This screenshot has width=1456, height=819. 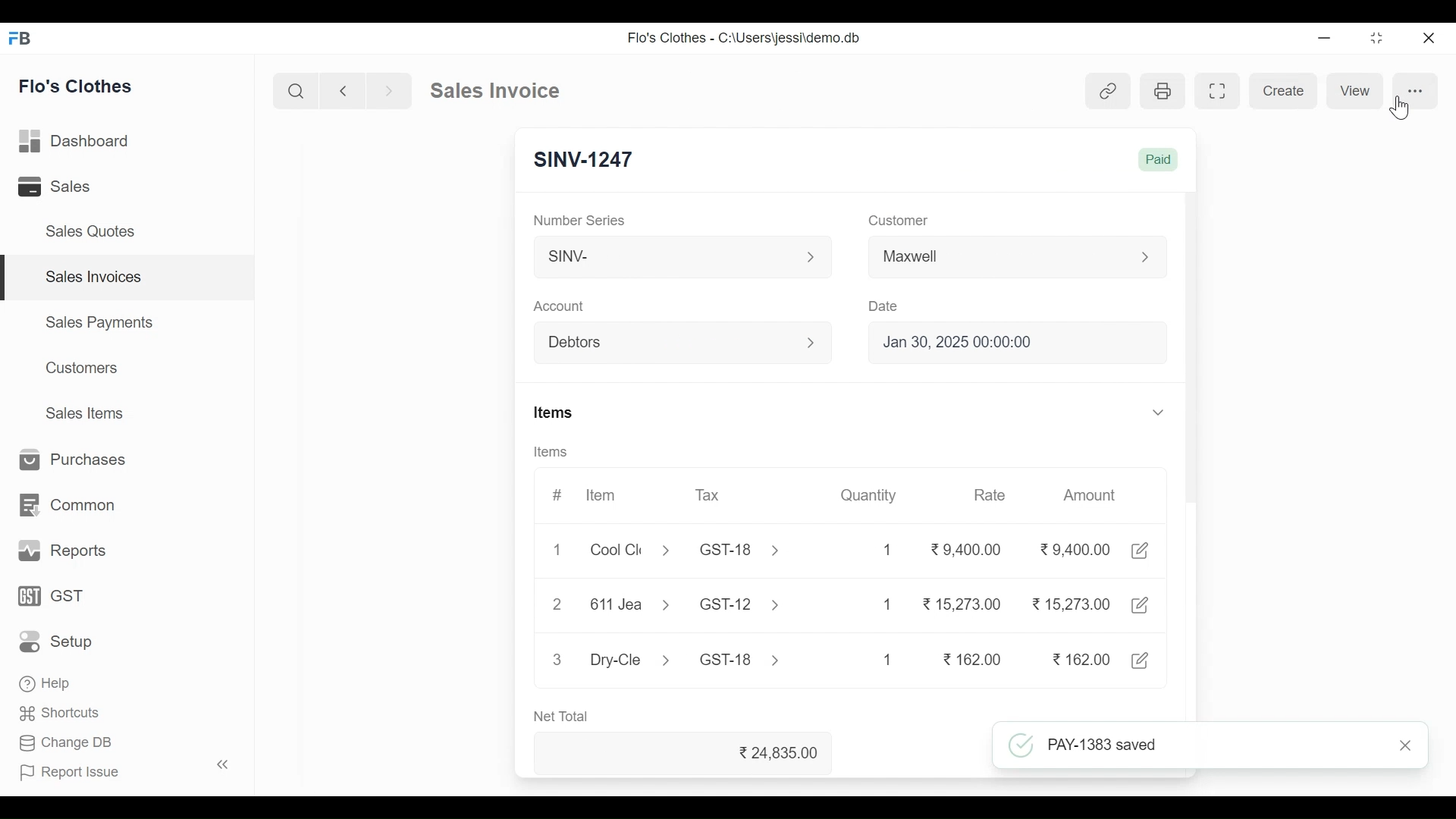 I want to click on Flo's Clothes - C:\Users\jessi\demo.db, so click(x=746, y=37).